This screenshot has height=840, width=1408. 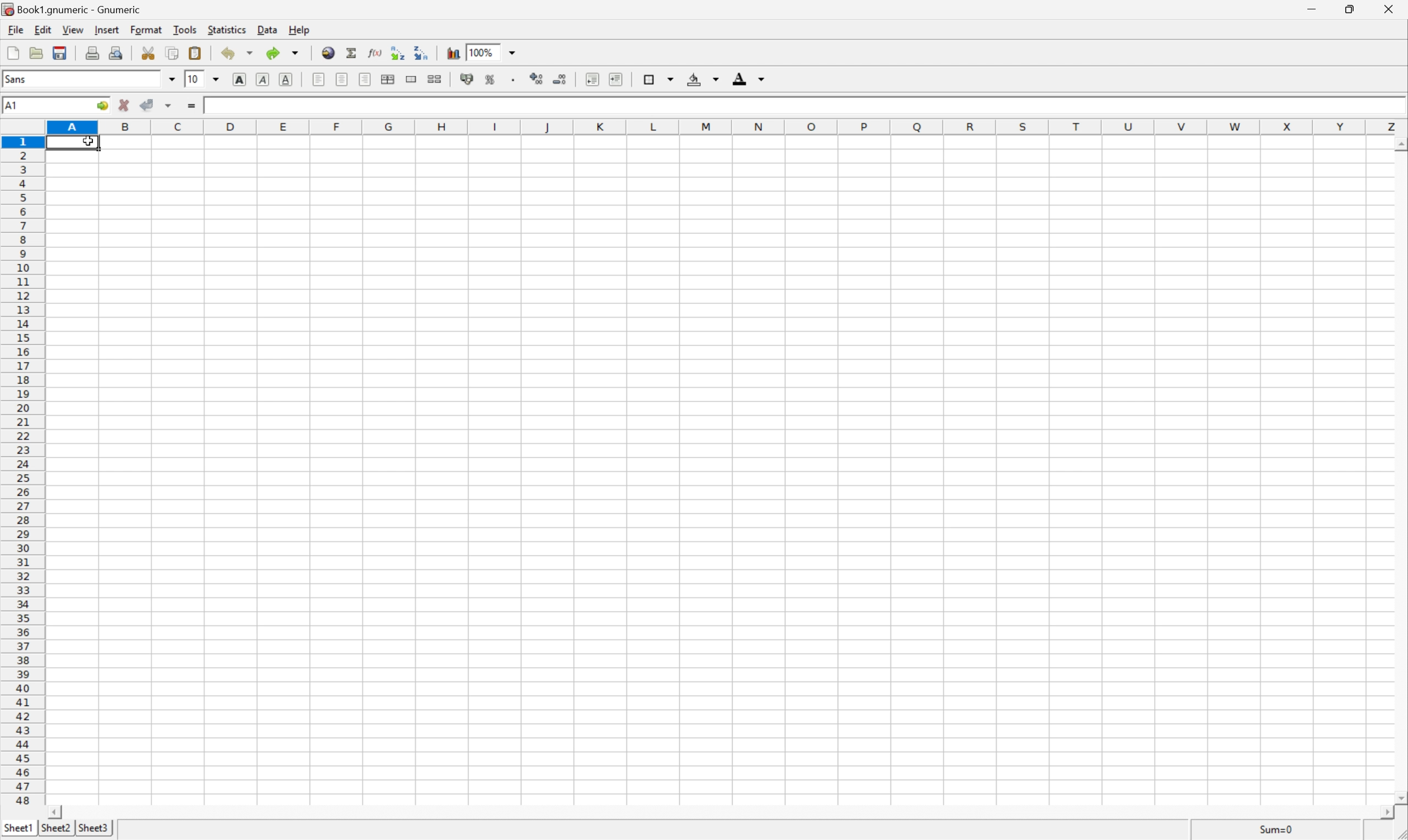 I want to click on foreground color, so click(x=749, y=78).